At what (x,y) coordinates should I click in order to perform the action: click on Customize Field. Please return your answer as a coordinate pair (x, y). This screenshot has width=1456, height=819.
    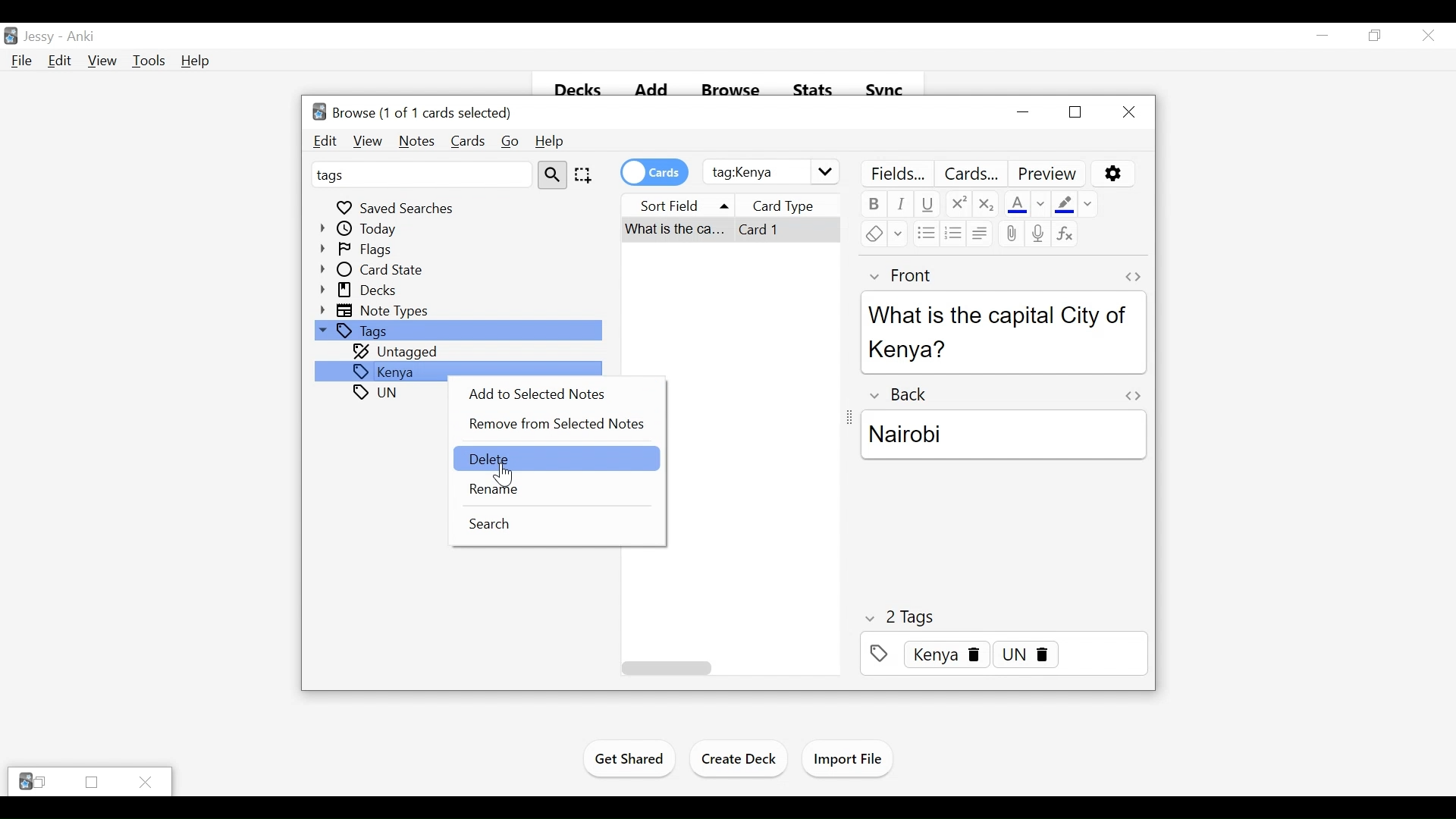
    Looking at the image, I should click on (897, 174).